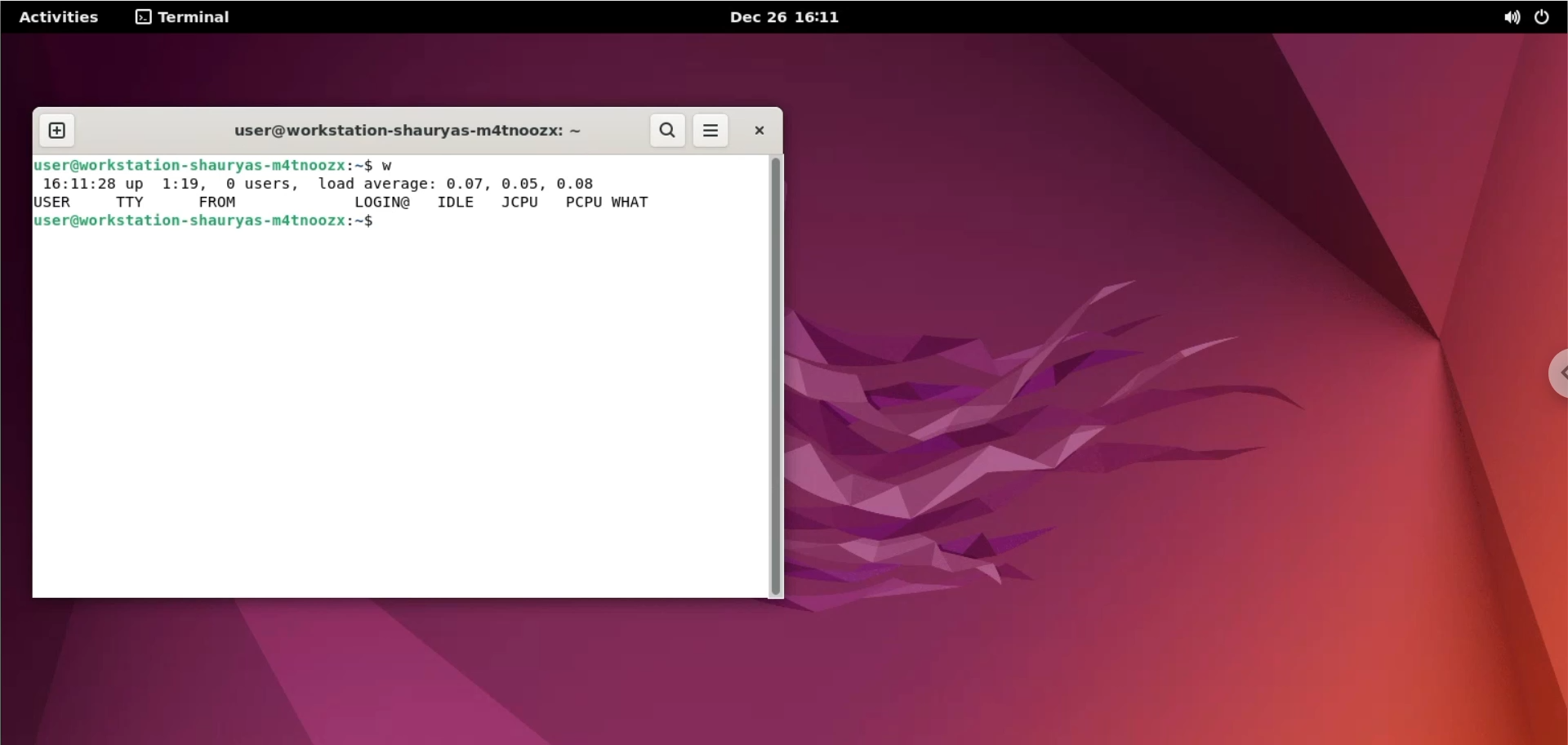 The width and height of the screenshot is (1568, 745). Describe the element at coordinates (390, 130) in the screenshot. I see `terminal  title: user@workstation-shauryas-m4tnoozx: ~` at that location.